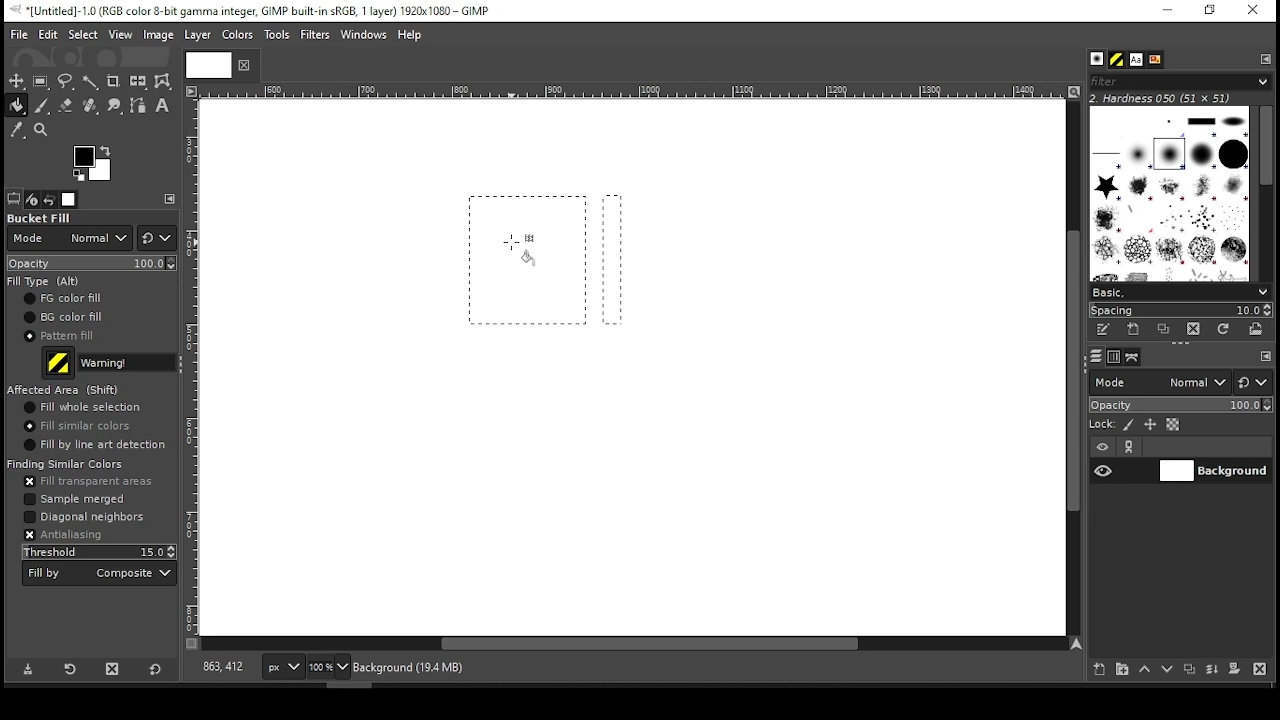 The width and height of the screenshot is (1280, 720). What do you see at coordinates (63, 534) in the screenshot?
I see `antialiasing` at bounding box center [63, 534].